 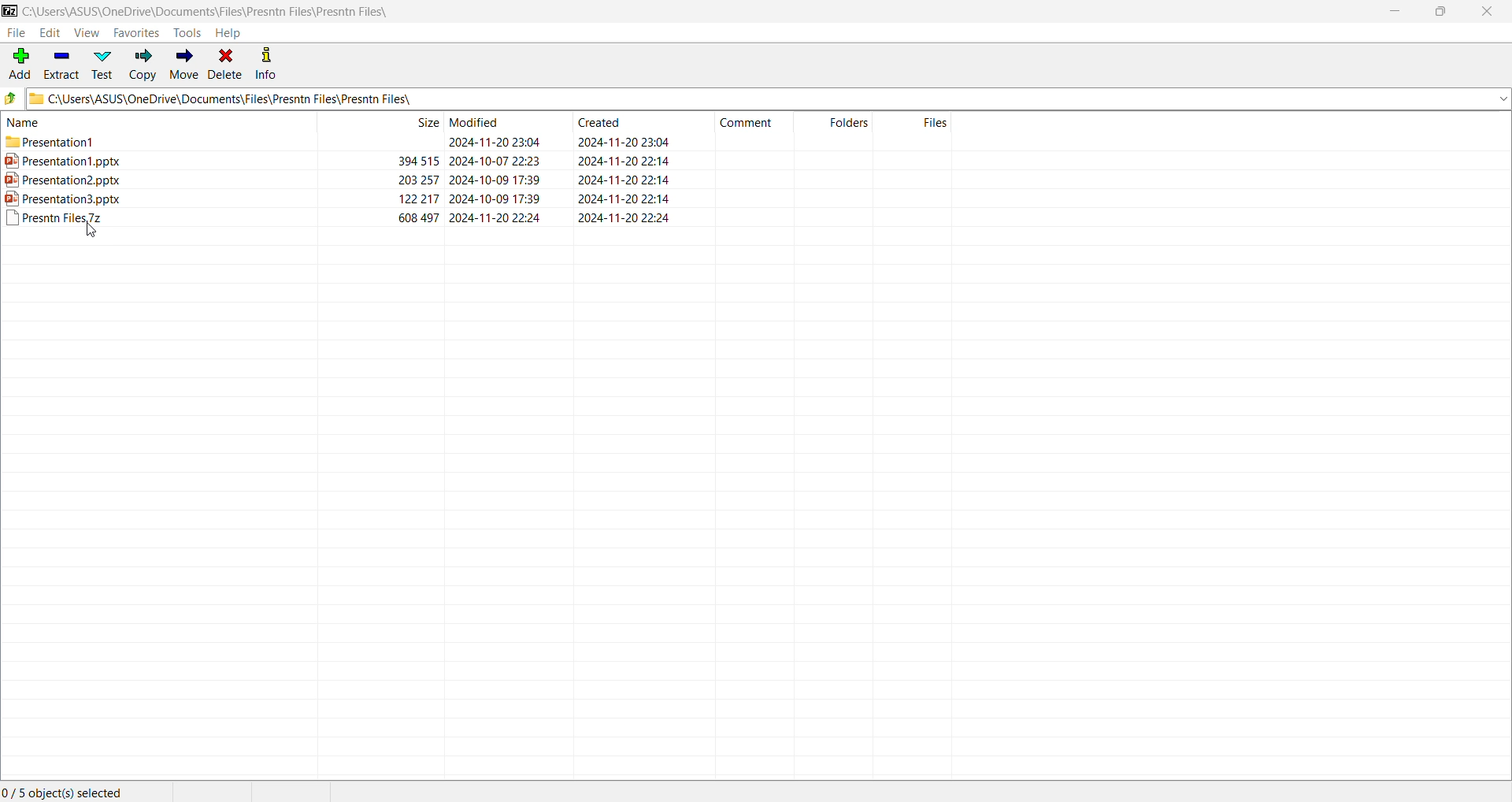 What do you see at coordinates (749, 124) in the screenshot?
I see `‘Comment` at bounding box center [749, 124].